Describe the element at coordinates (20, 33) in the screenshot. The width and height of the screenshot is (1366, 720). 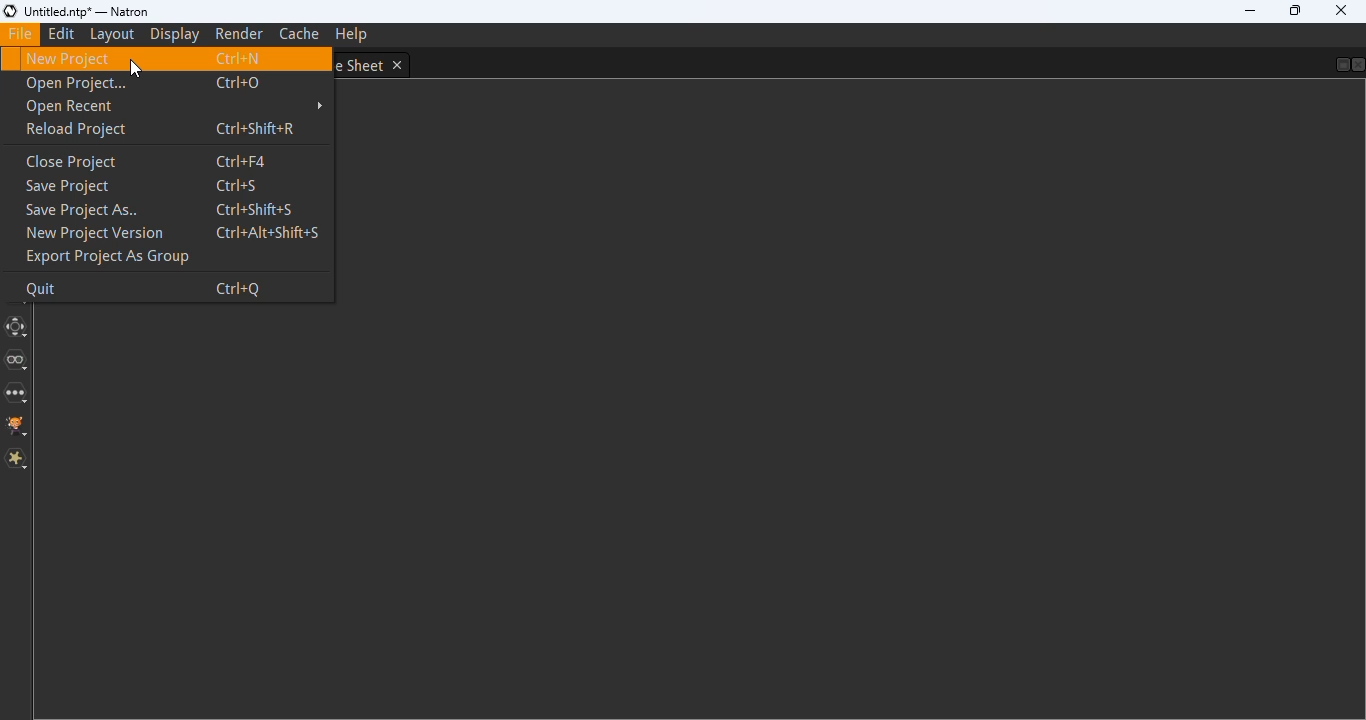
I see `file` at that location.